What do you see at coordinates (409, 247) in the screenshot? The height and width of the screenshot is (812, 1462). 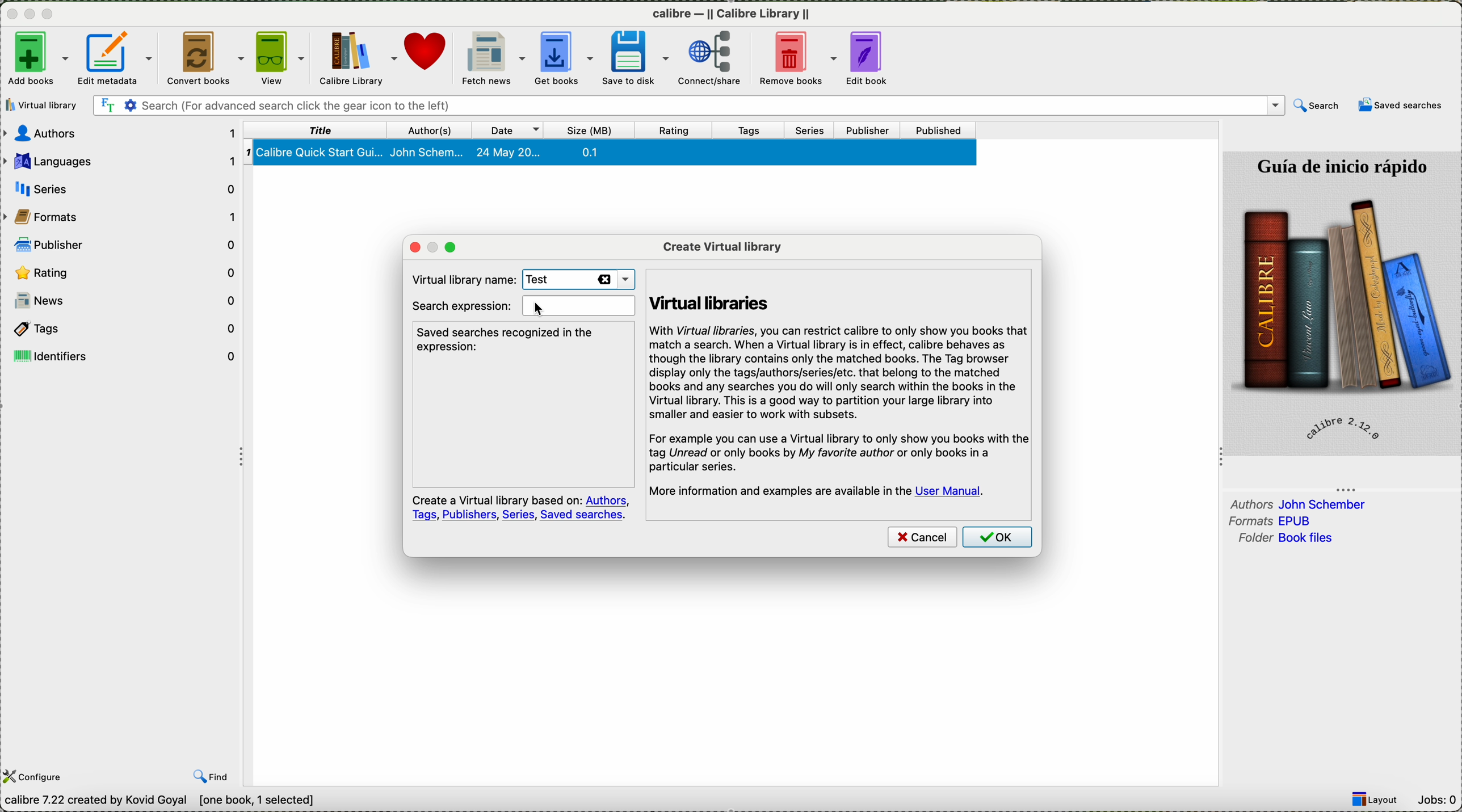 I see `close popup` at bounding box center [409, 247].